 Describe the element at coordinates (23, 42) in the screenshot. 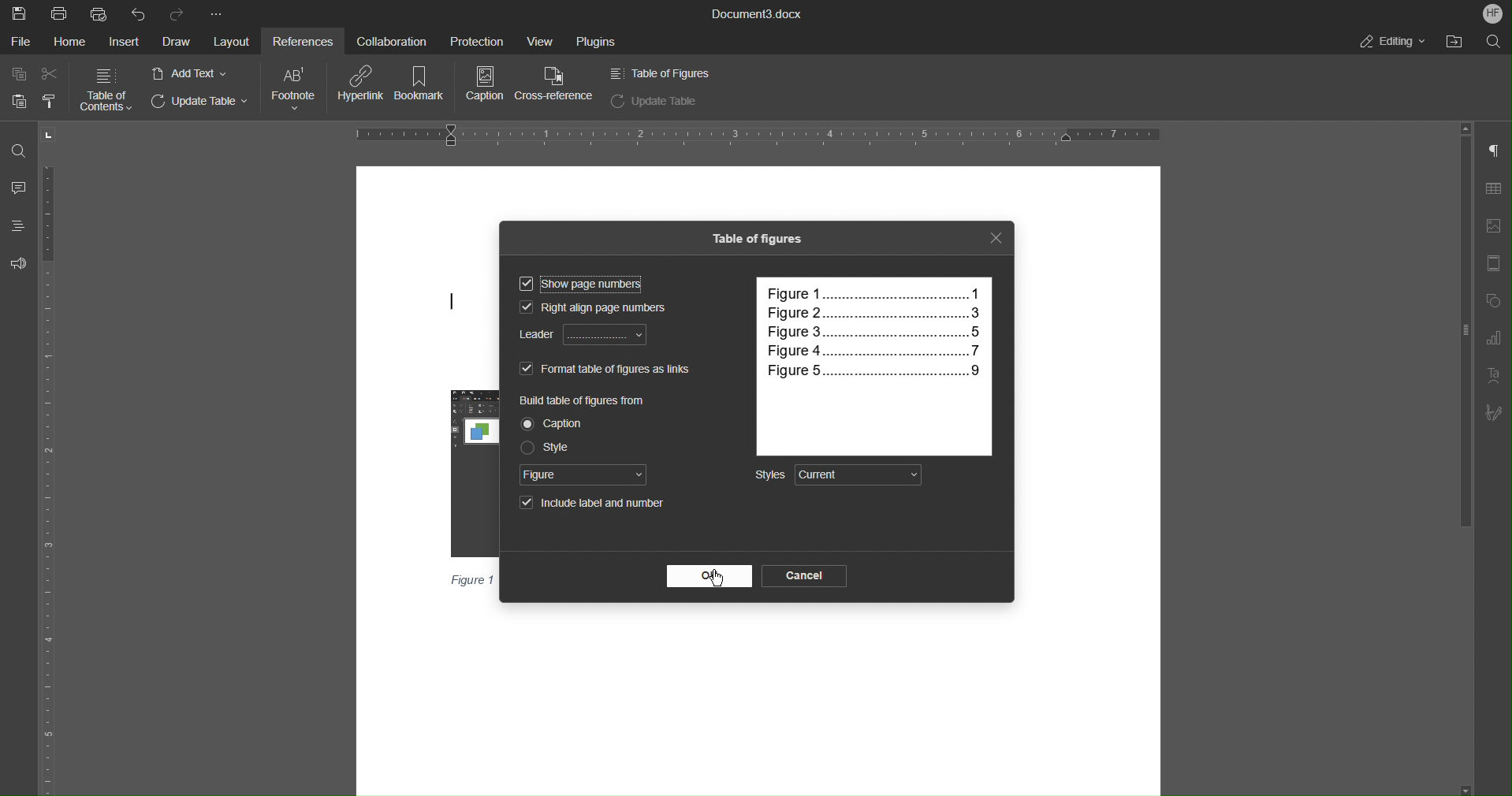

I see `File` at that location.